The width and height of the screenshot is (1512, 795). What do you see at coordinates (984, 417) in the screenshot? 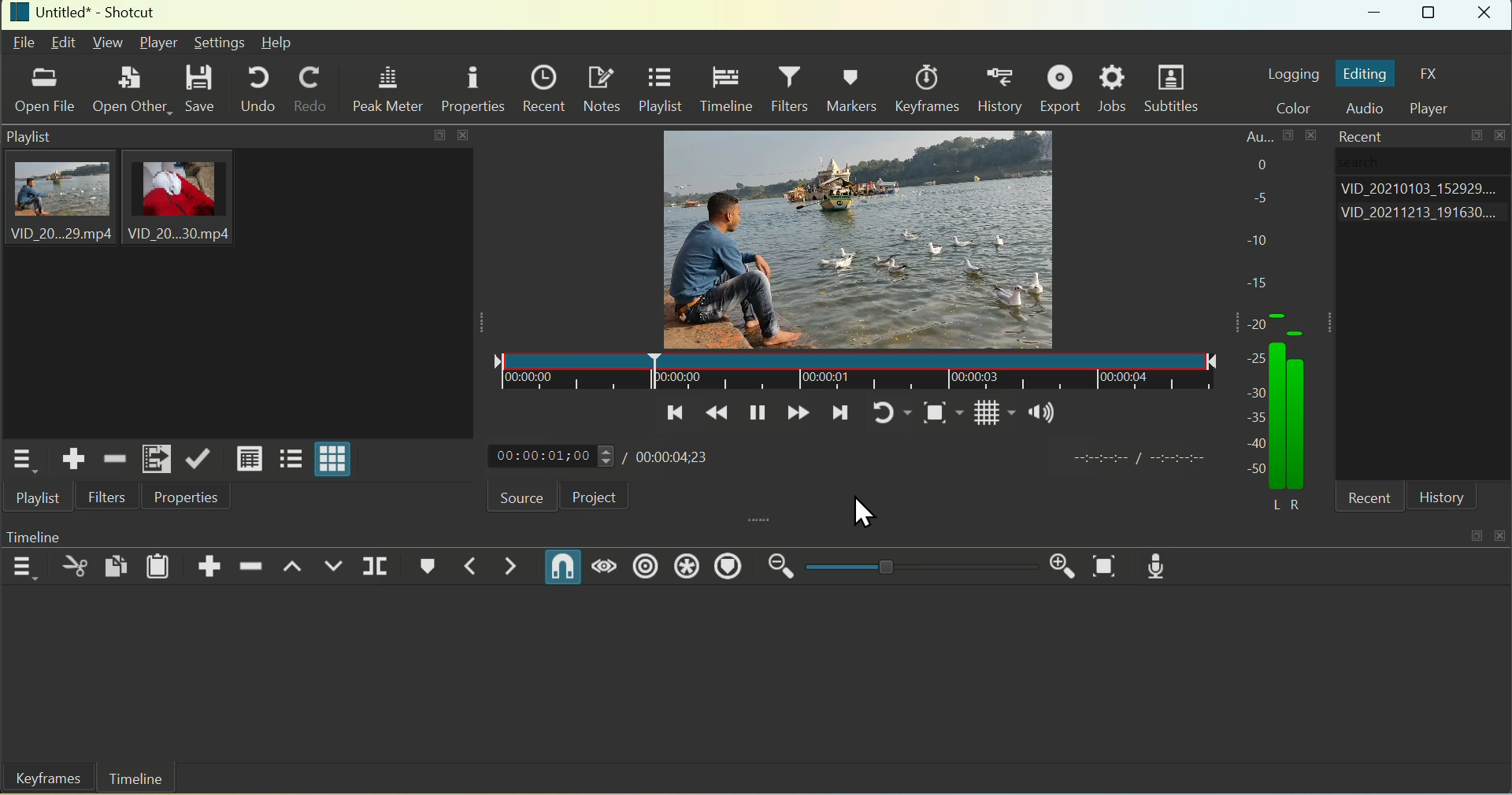
I see `Grid` at bounding box center [984, 417].